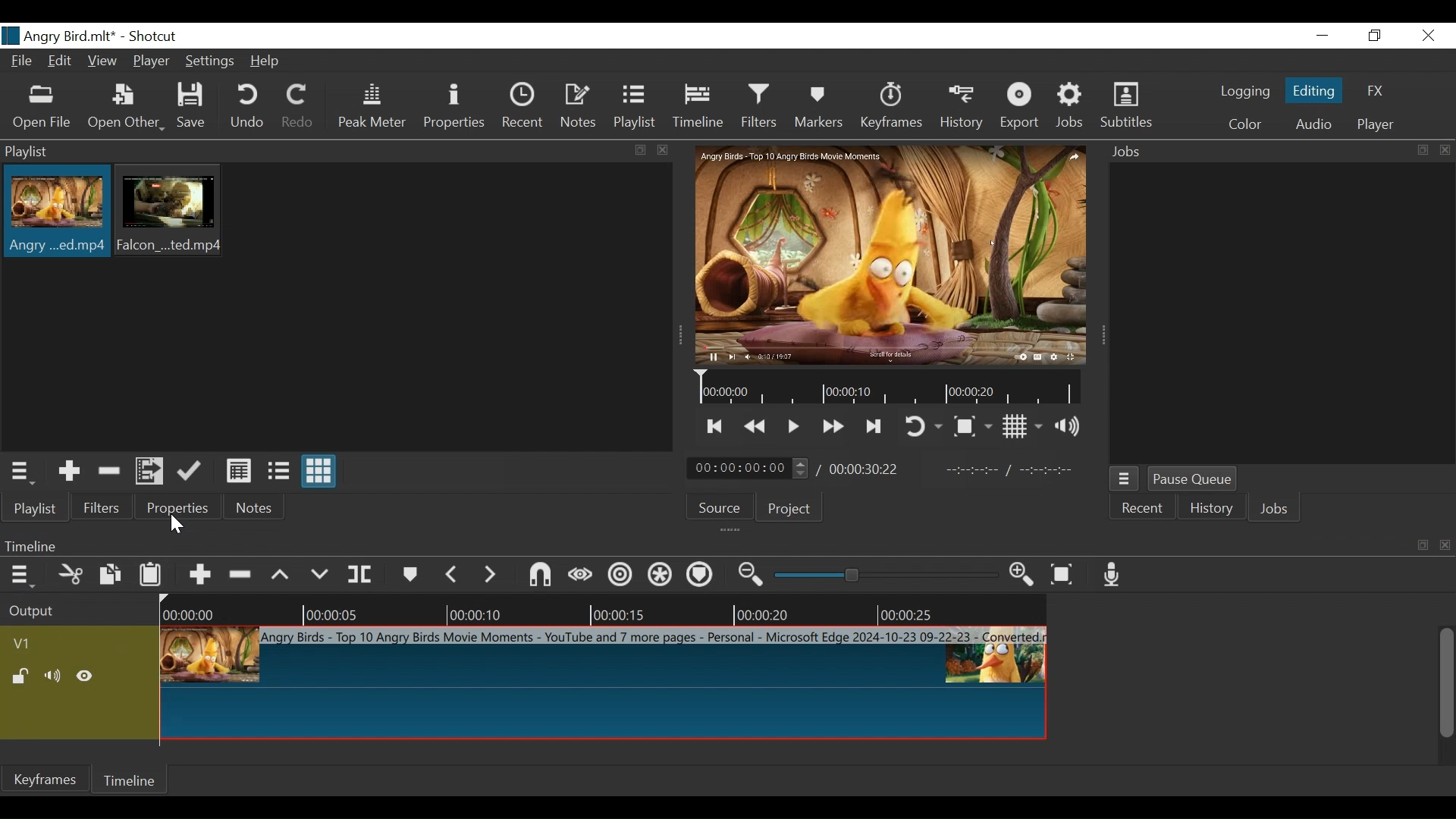 The width and height of the screenshot is (1456, 819). I want to click on Notes, so click(256, 507).